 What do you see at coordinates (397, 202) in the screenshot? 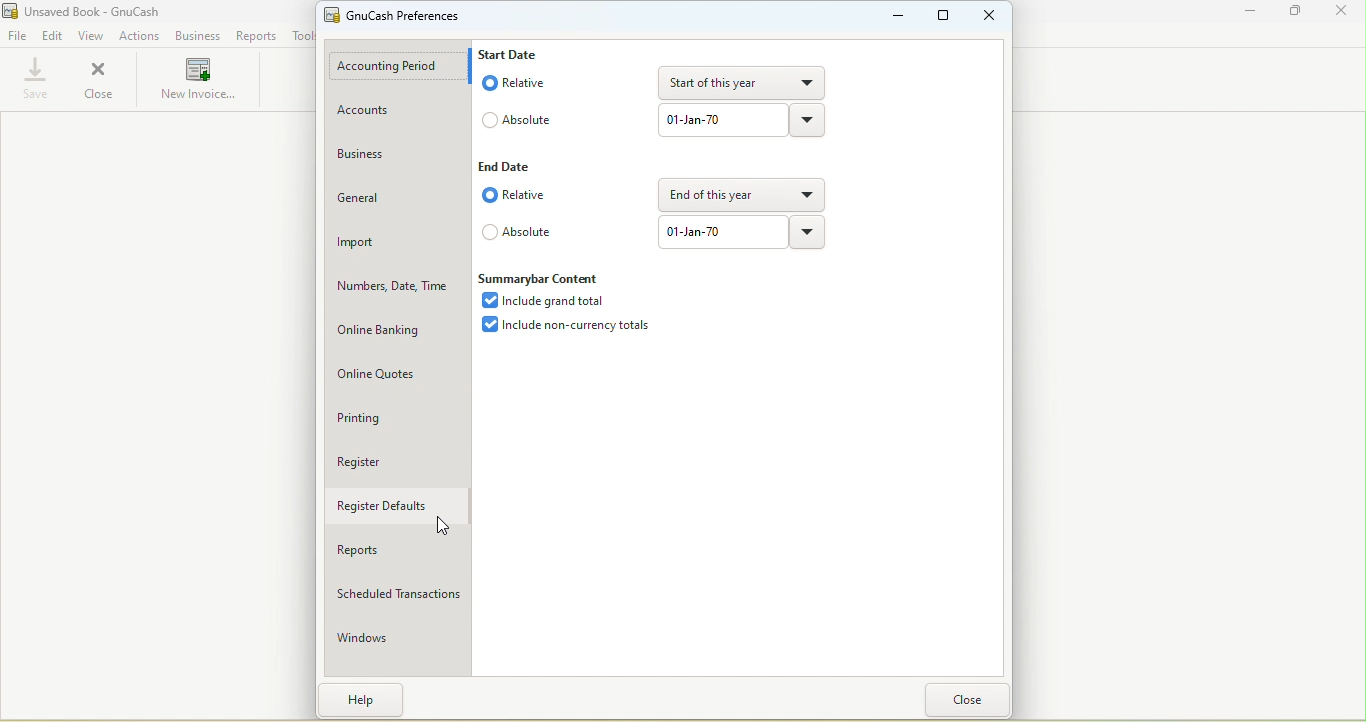
I see `General` at bounding box center [397, 202].